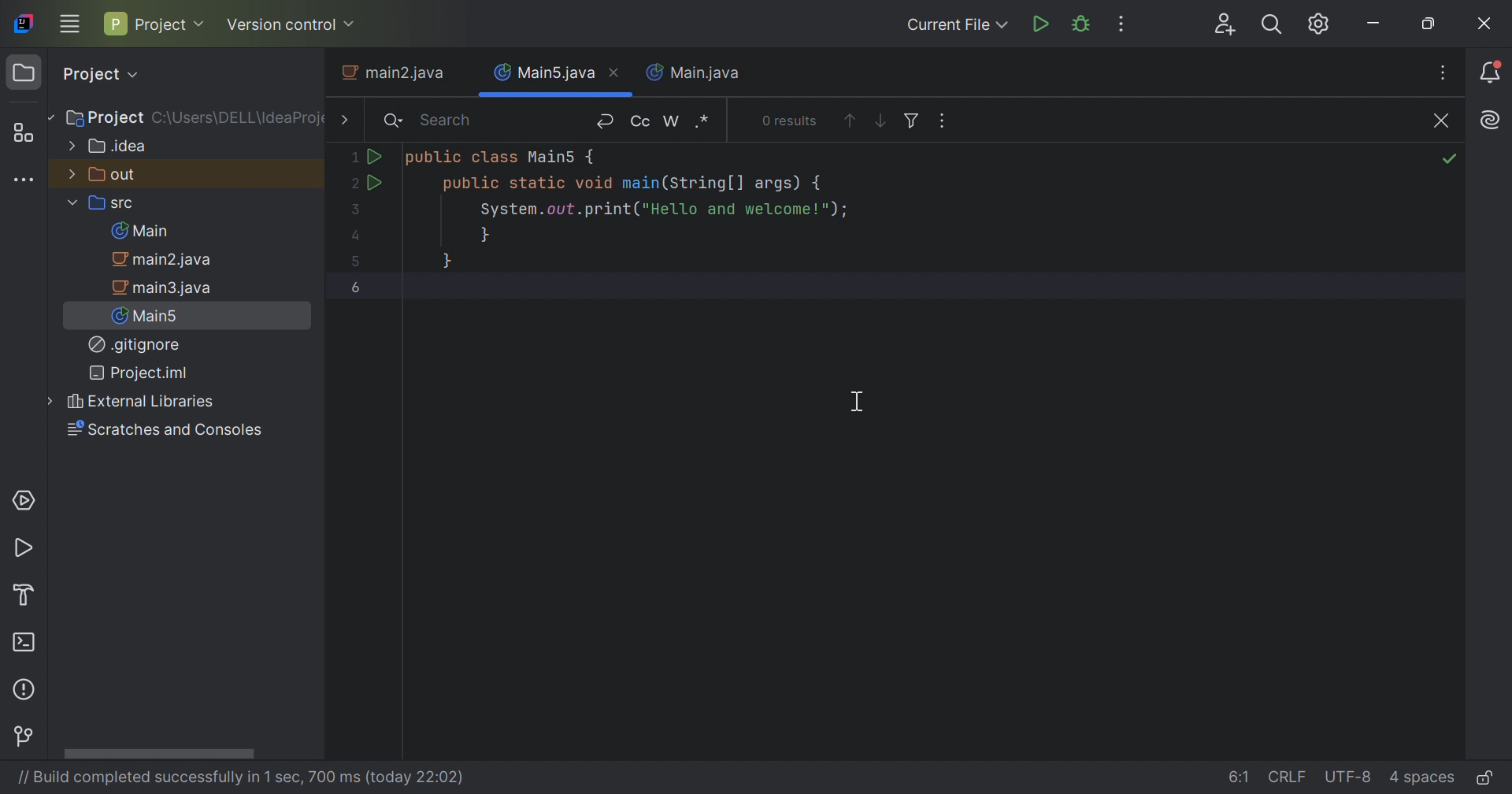  What do you see at coordinates (1432, 26) in the screenshot?
I see `Restore down` at bounding box center [1432, 26].